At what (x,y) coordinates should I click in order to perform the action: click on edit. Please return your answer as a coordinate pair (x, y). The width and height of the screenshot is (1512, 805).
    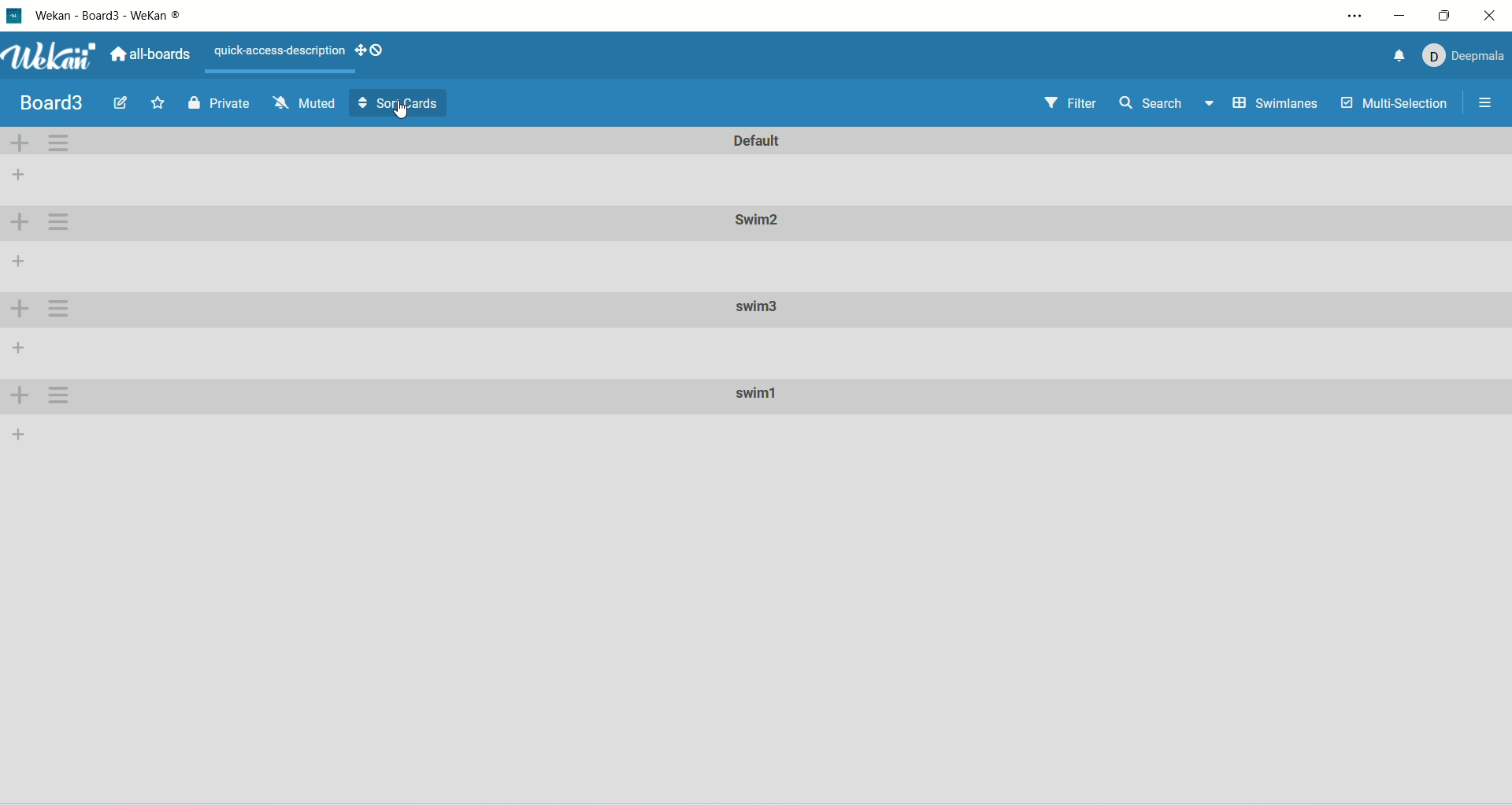
    Looking at the image, I should click on (121, 101).